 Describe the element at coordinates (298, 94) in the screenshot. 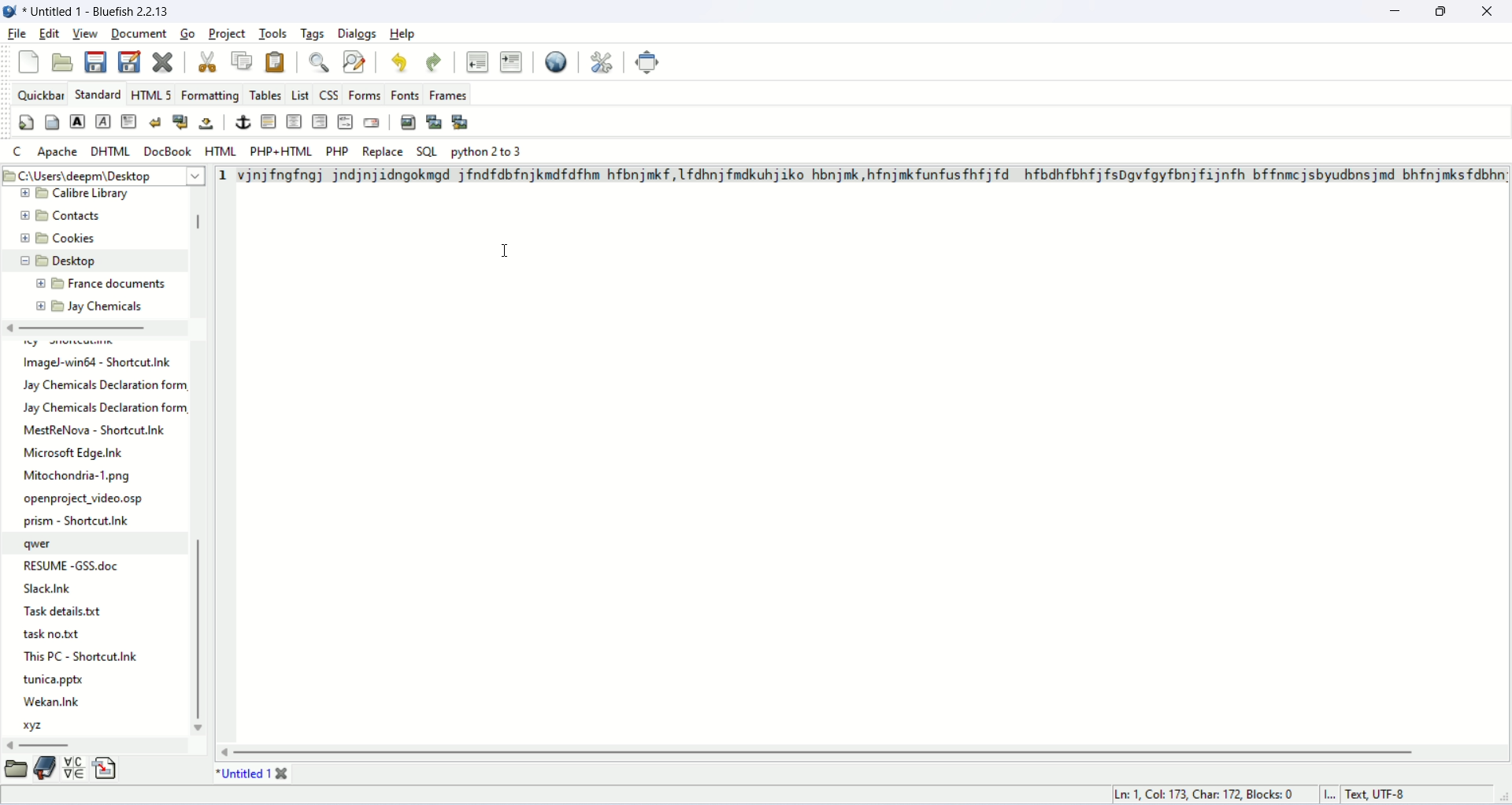

I see `List` at that location.